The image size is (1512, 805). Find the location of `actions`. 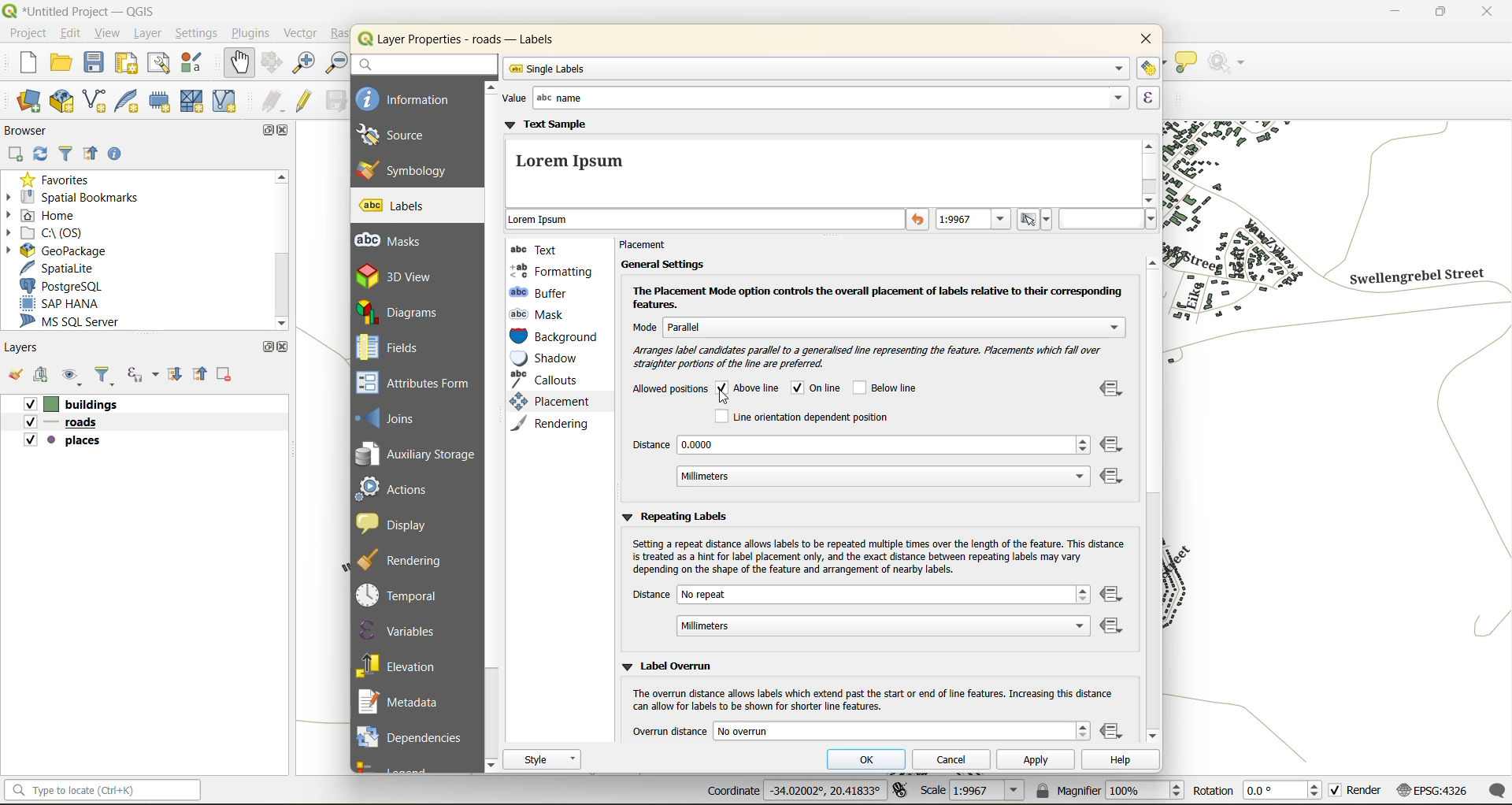

actions is located at coordinates (402, 488).